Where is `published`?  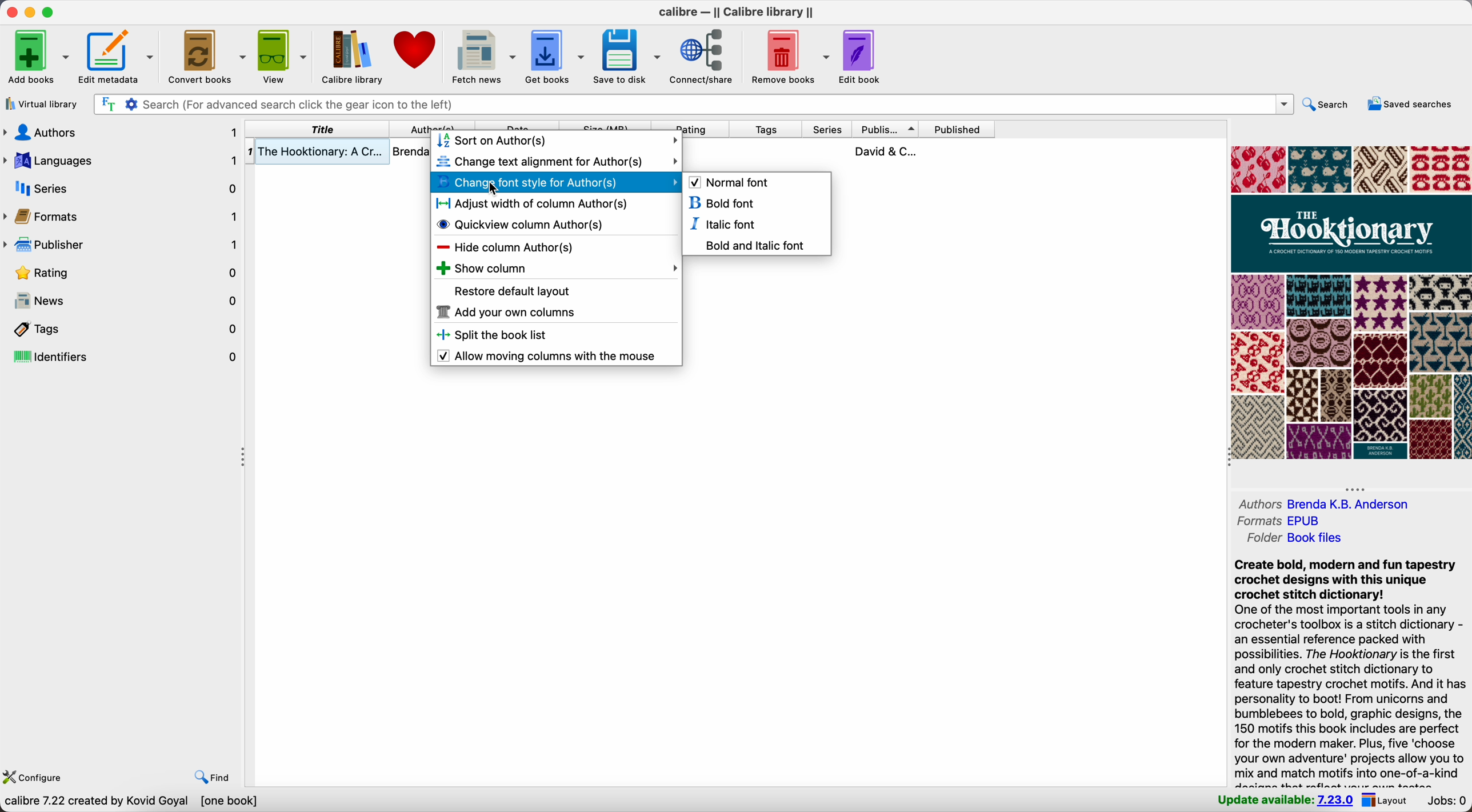 published is located at coordinates (956, 129).